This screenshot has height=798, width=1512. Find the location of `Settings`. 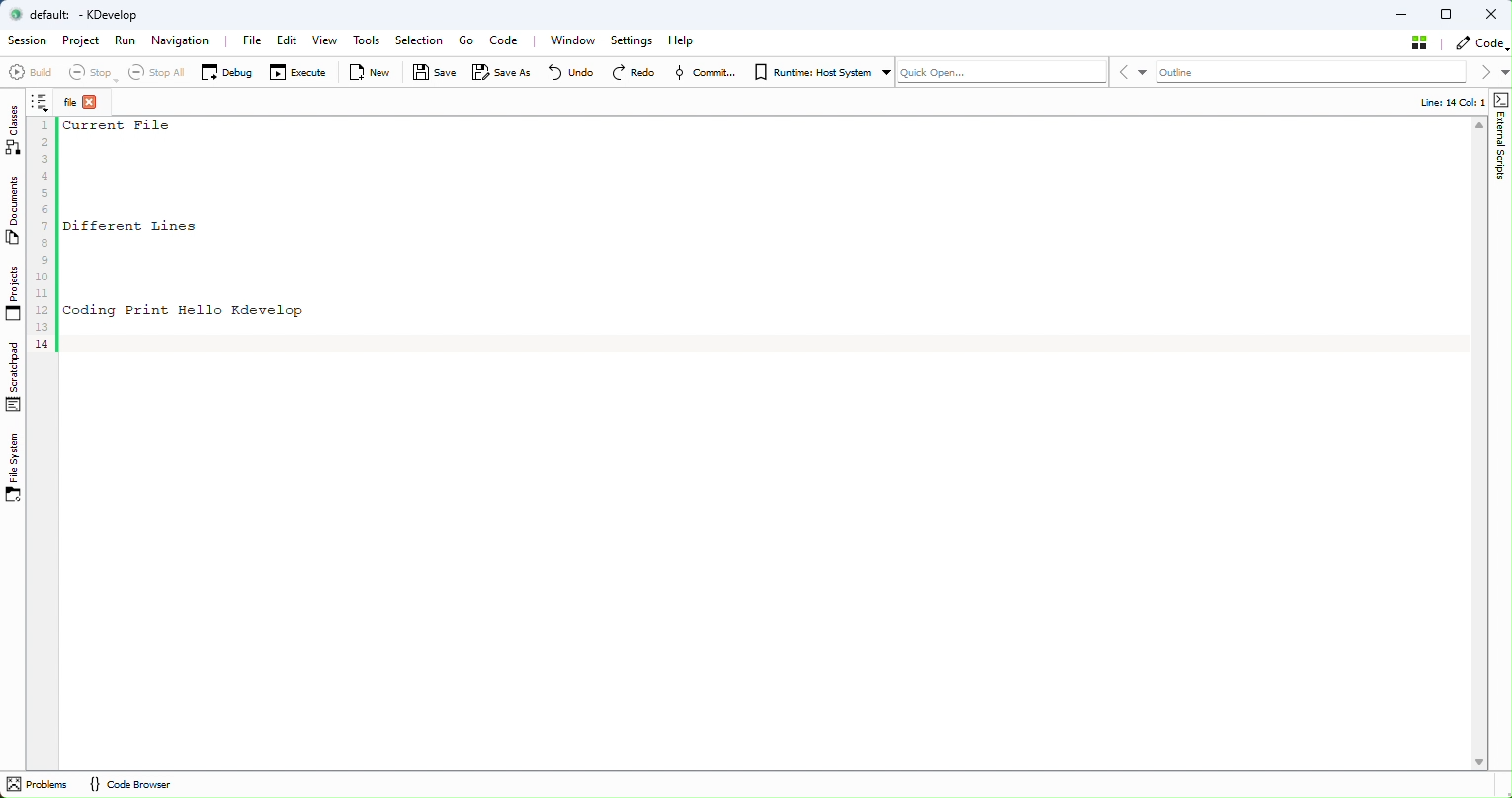

Settings is located at coordinates (632, 41).